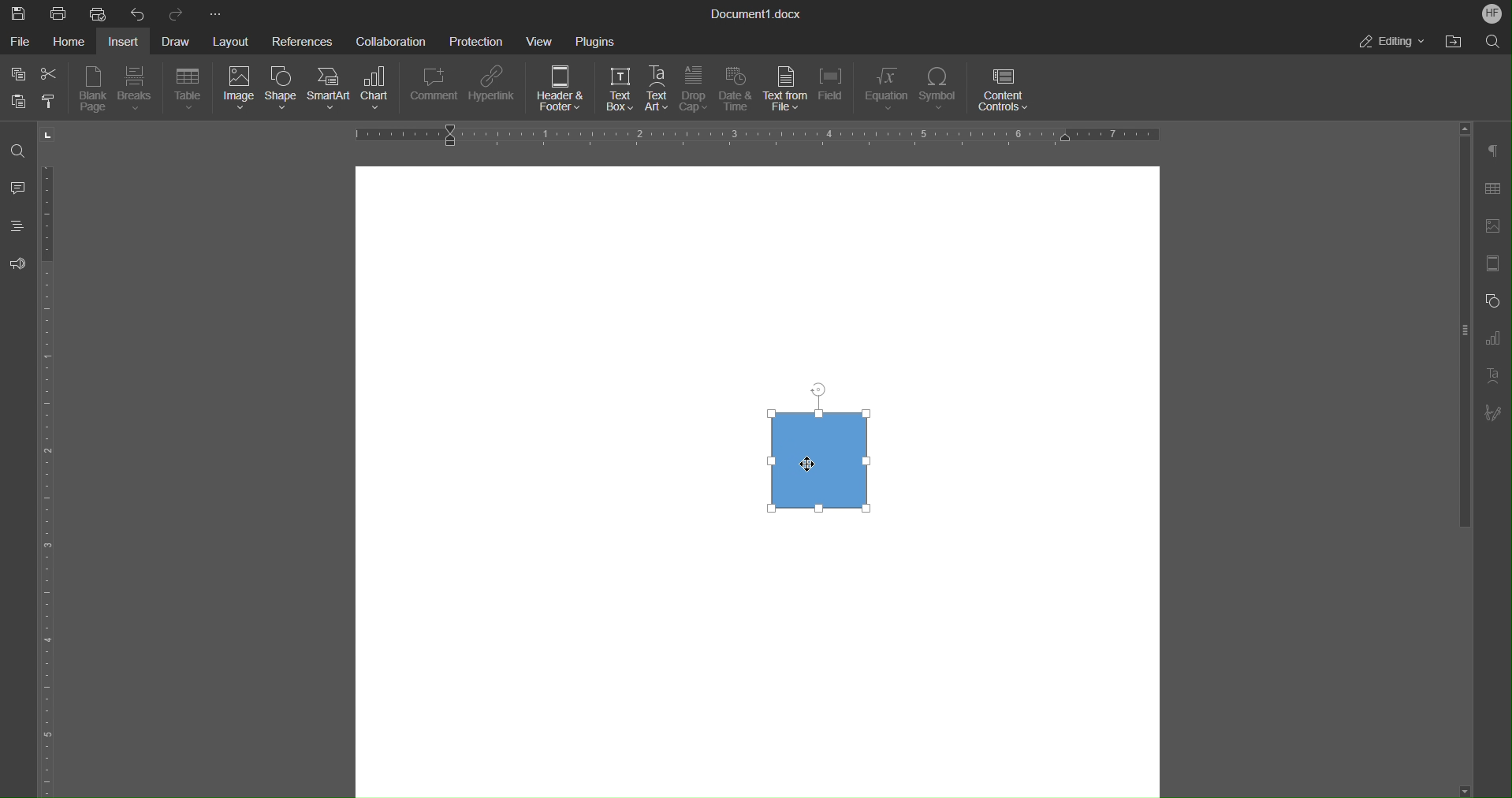  Describe the element at coordinates (180, 40) in the screenshot. I see `Draw` at that location.